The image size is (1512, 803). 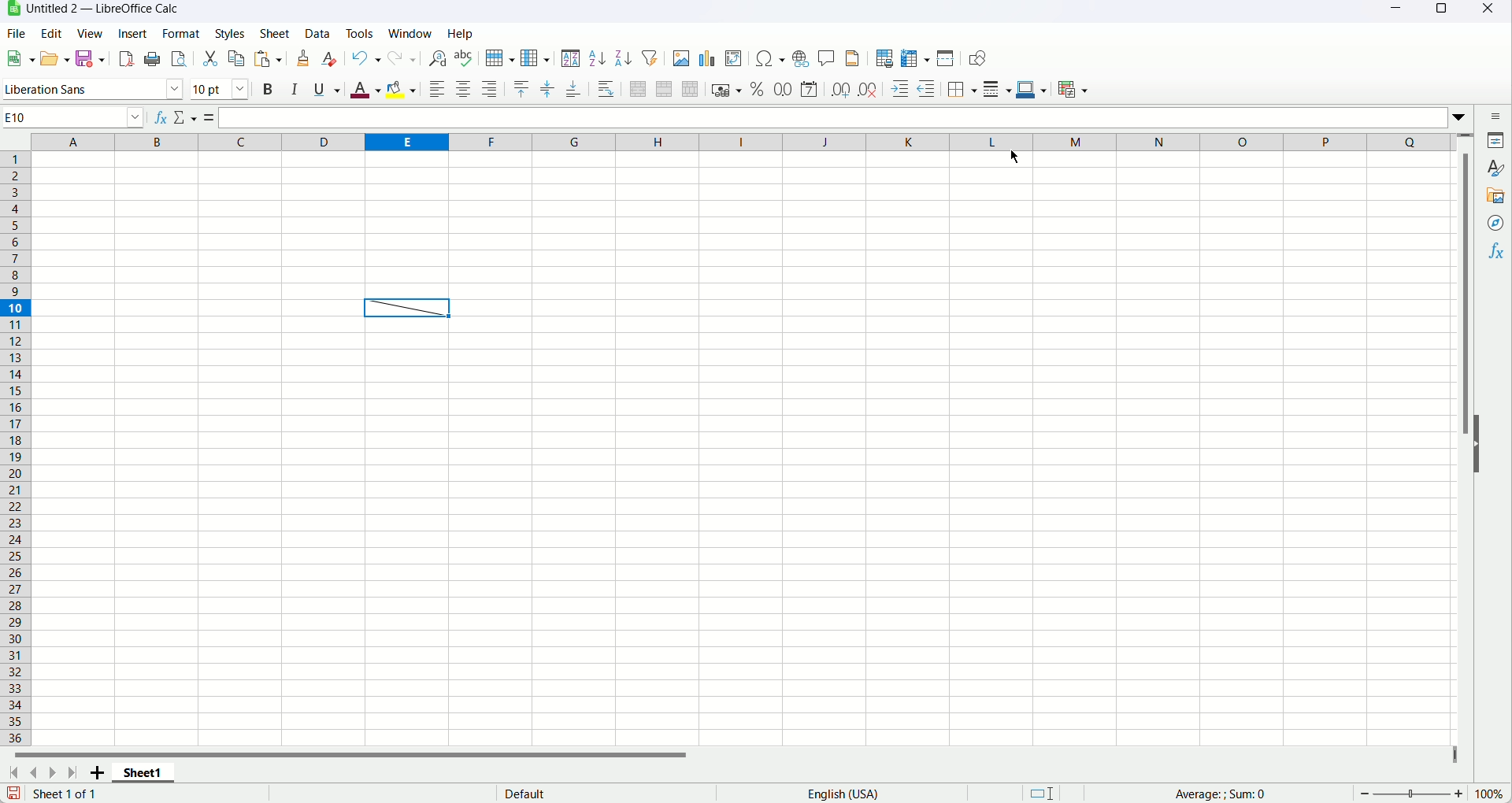 What do you see at coordinates (707, 58) in the screenshot?
I see `Insert chart` at bounding box center [707, 58].